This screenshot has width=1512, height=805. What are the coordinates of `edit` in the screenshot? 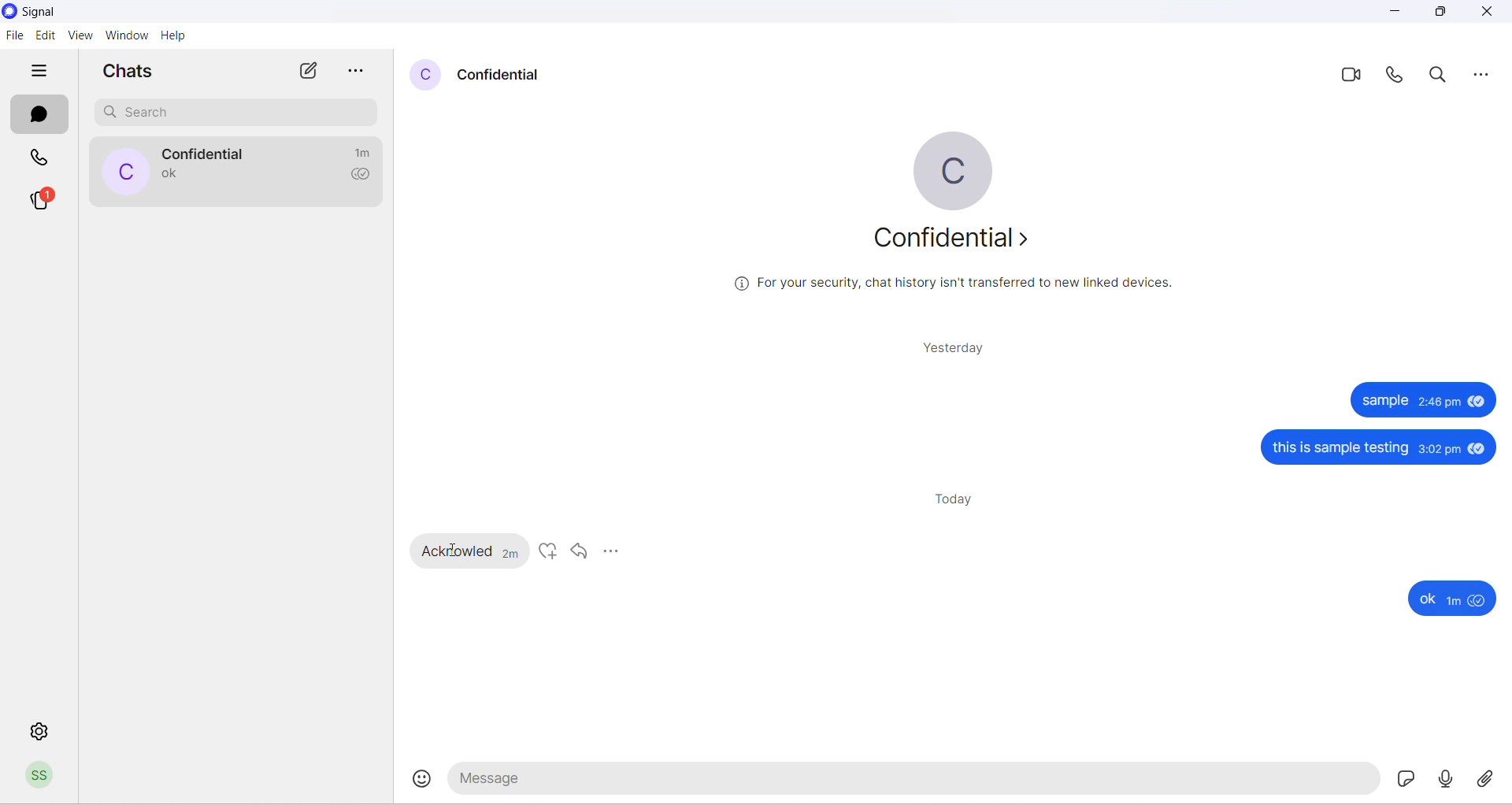 It's located at (44, 35).